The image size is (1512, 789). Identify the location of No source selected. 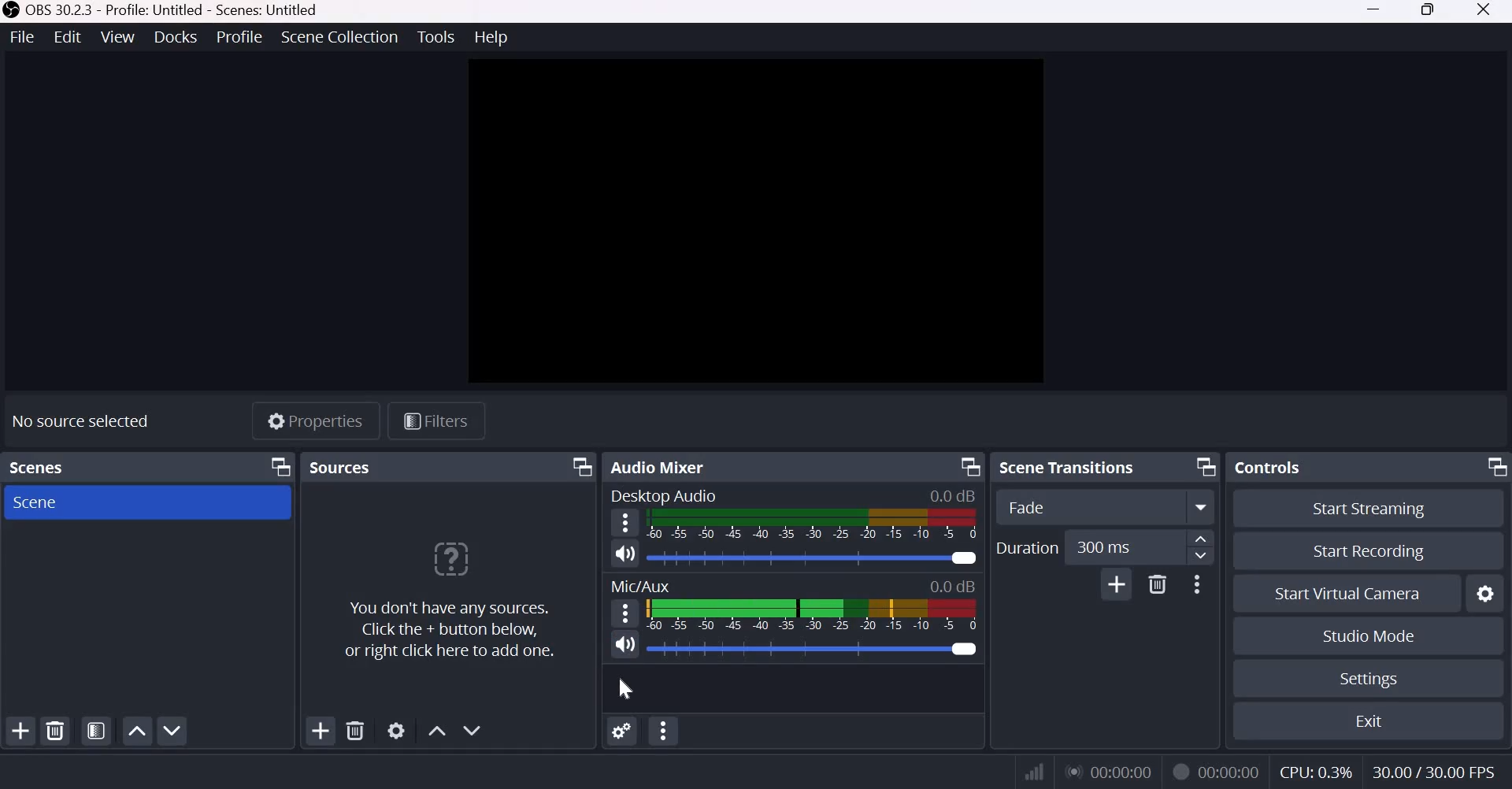
(83, 420).